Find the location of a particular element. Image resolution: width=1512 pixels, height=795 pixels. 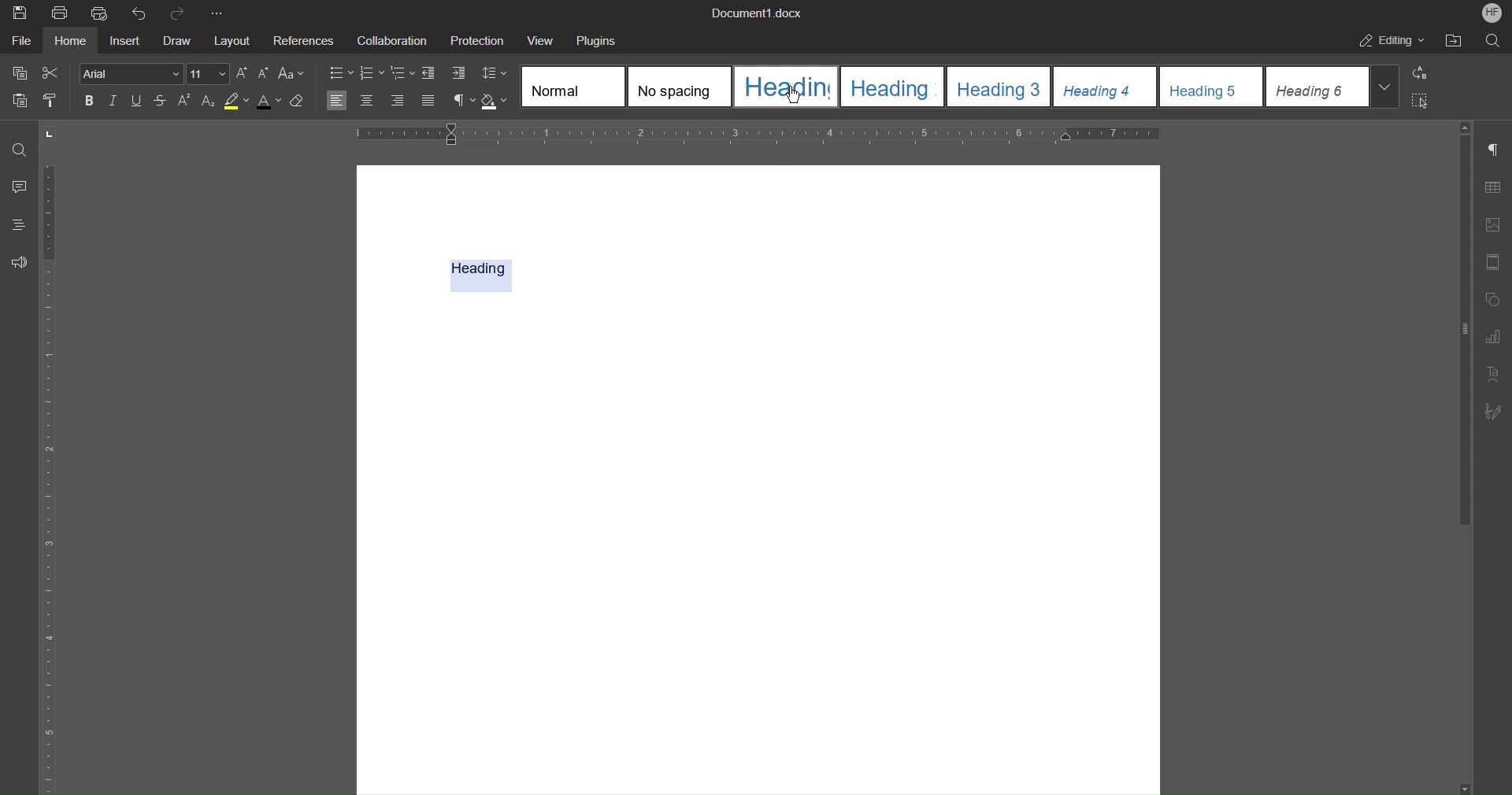

Font Size is located at coordinates (210, 74).